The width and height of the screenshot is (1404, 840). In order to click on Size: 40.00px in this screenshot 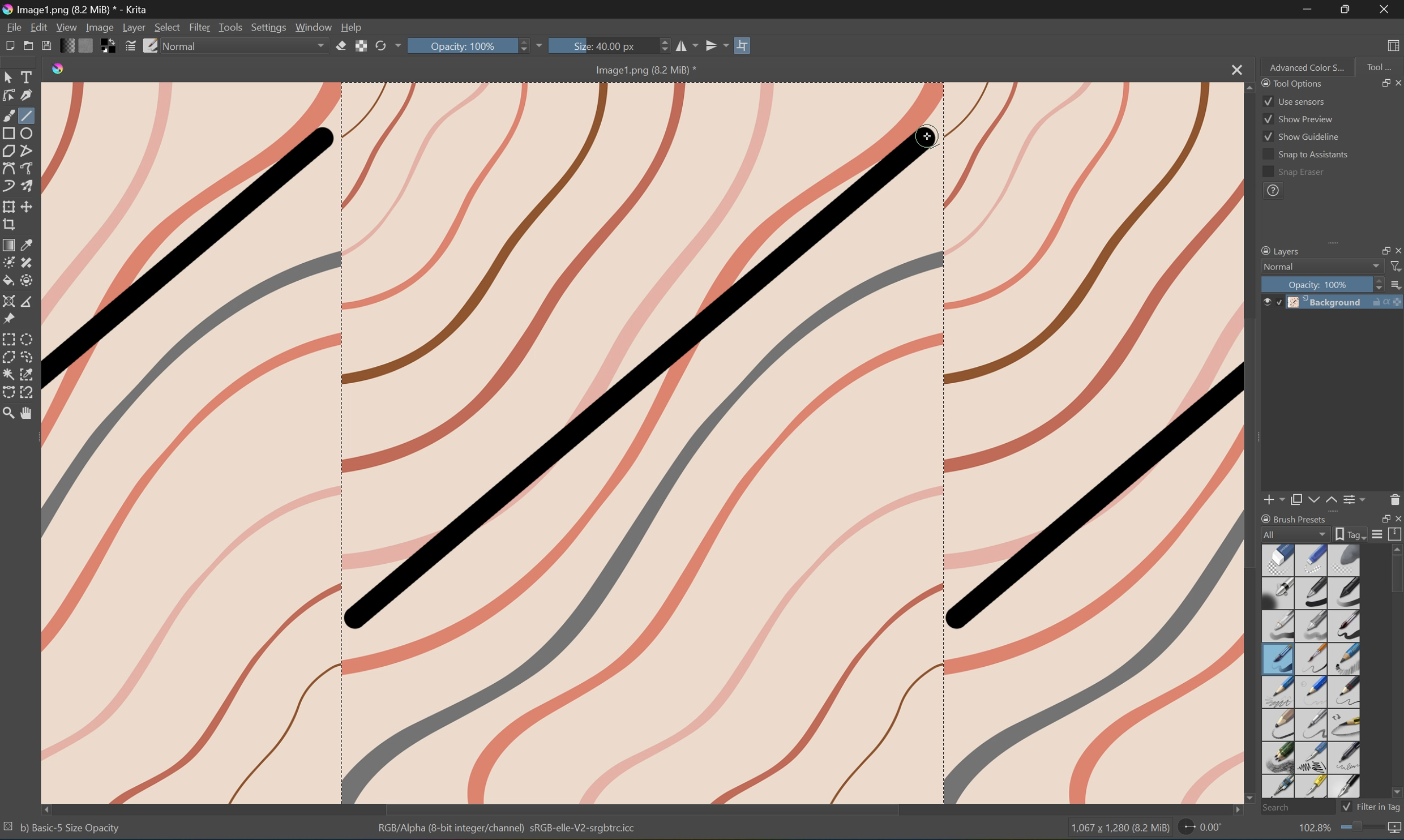, I will do `click(602, 46)`.